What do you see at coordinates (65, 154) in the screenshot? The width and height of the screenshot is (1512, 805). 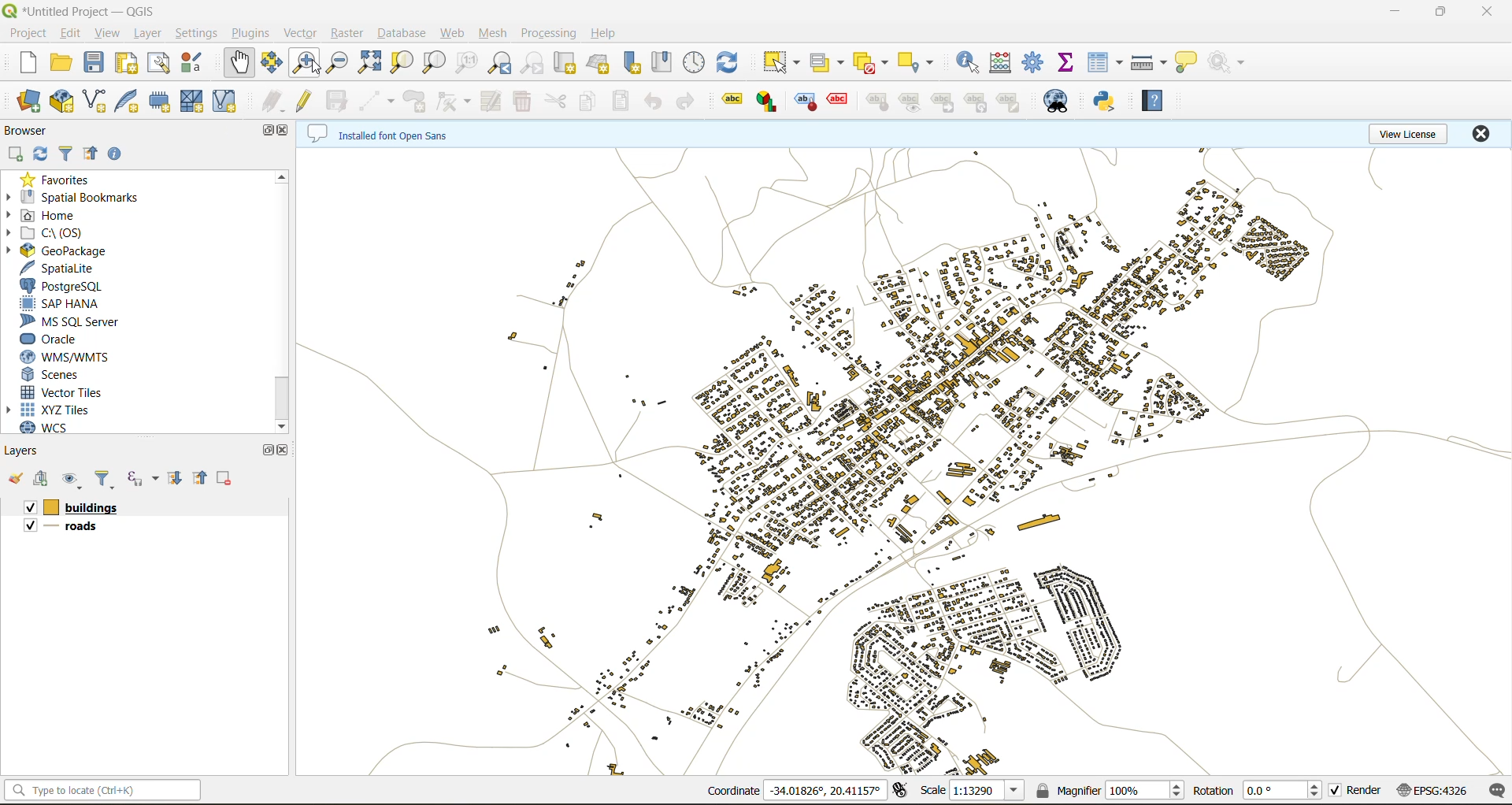 I see `filter` at bounding box center [65, 154].